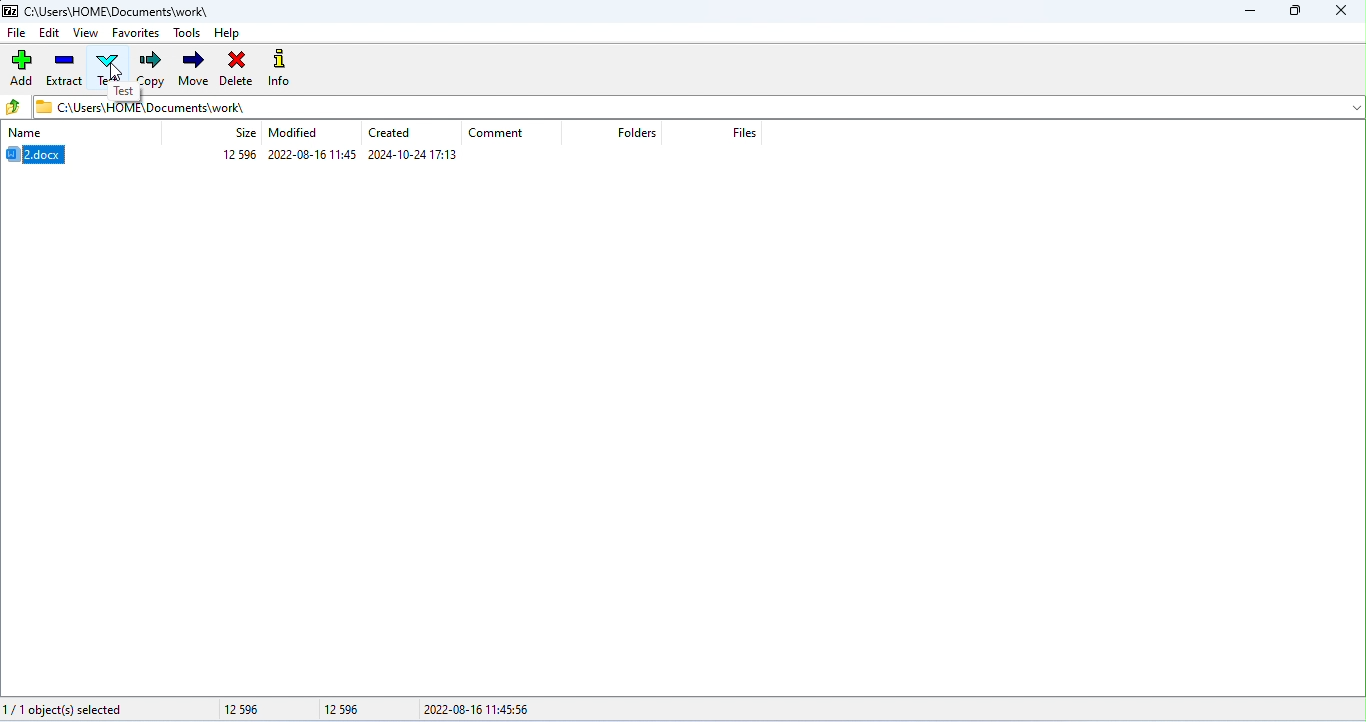 Image resolution: width=1366 pixels, height=722 pixels. Describe the element at coordinates (638, 134) in the screenshot. I see `folders` at that location.